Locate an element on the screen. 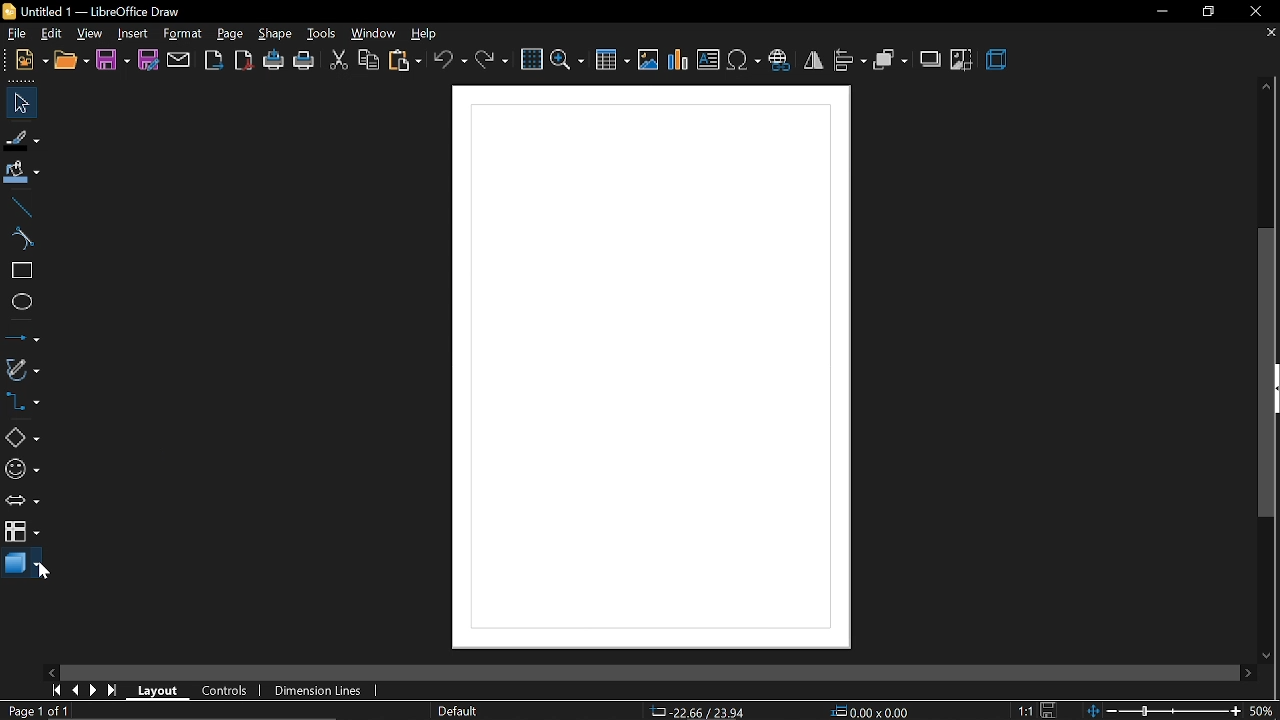 This screenshot has height=720, width=1280. arrange is located at coordinates (891, 60).